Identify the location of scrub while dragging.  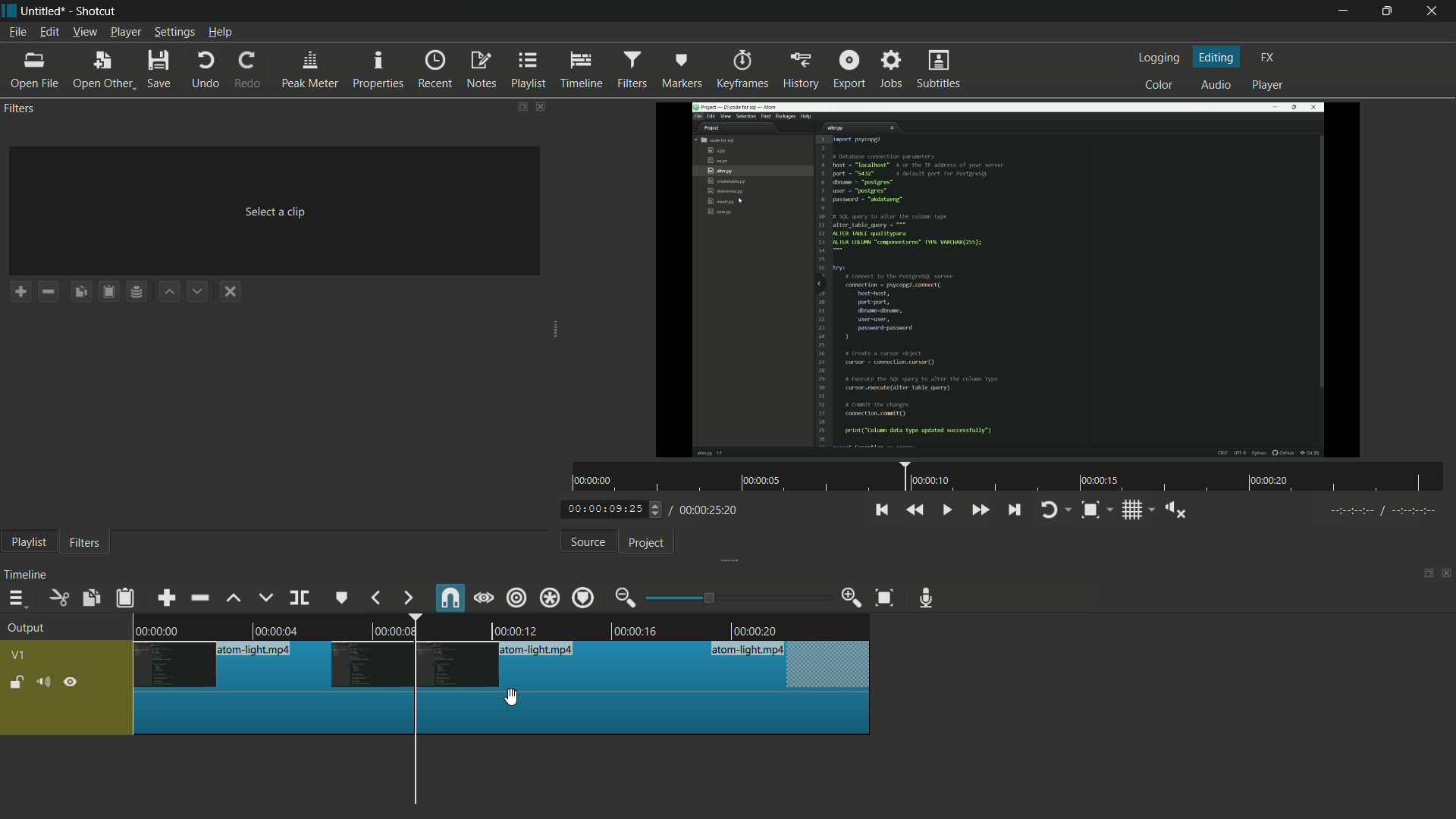
(484, 598).